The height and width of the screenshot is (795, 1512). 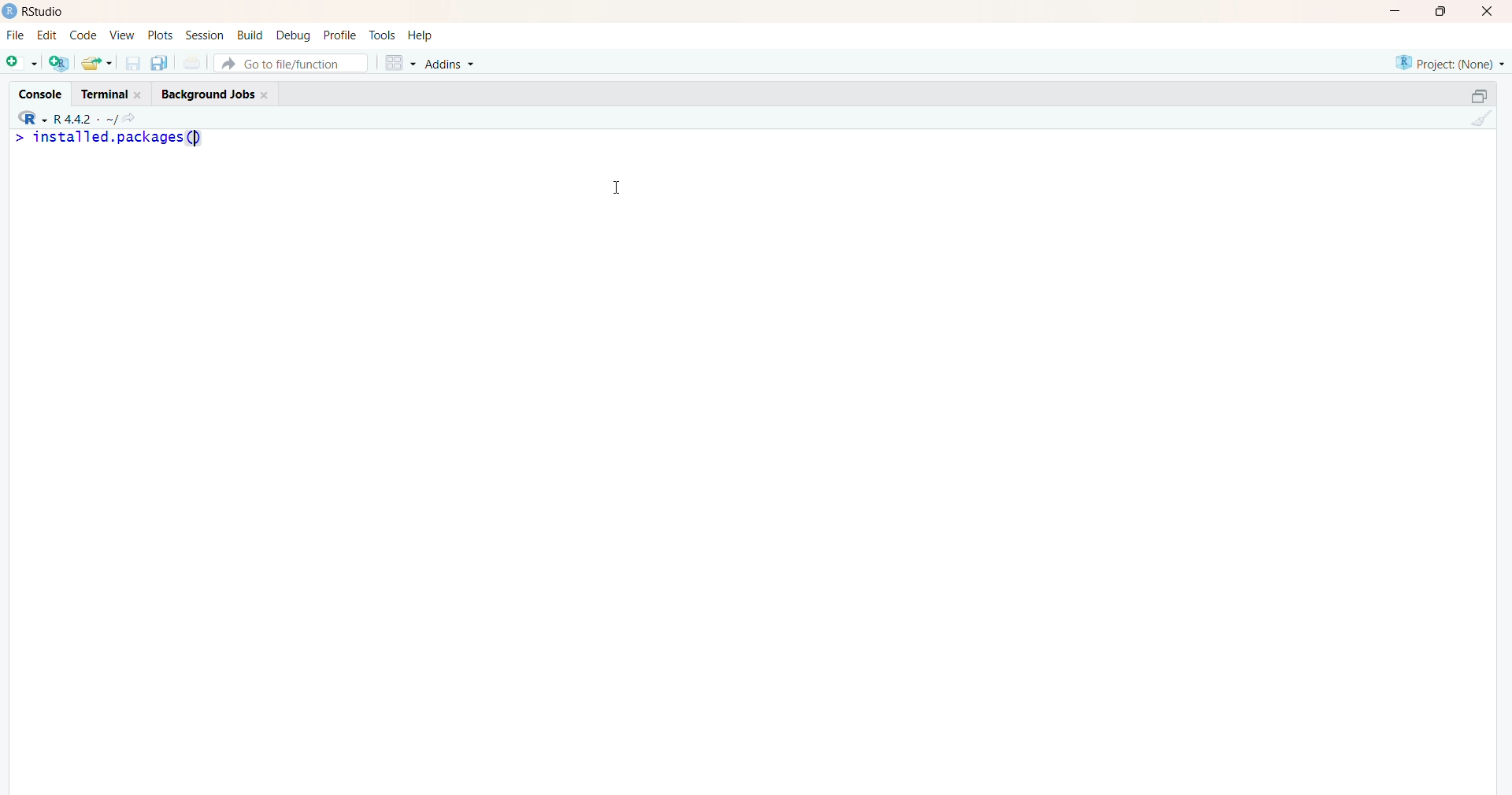 I want to click on help, so click(x=421, y=35).